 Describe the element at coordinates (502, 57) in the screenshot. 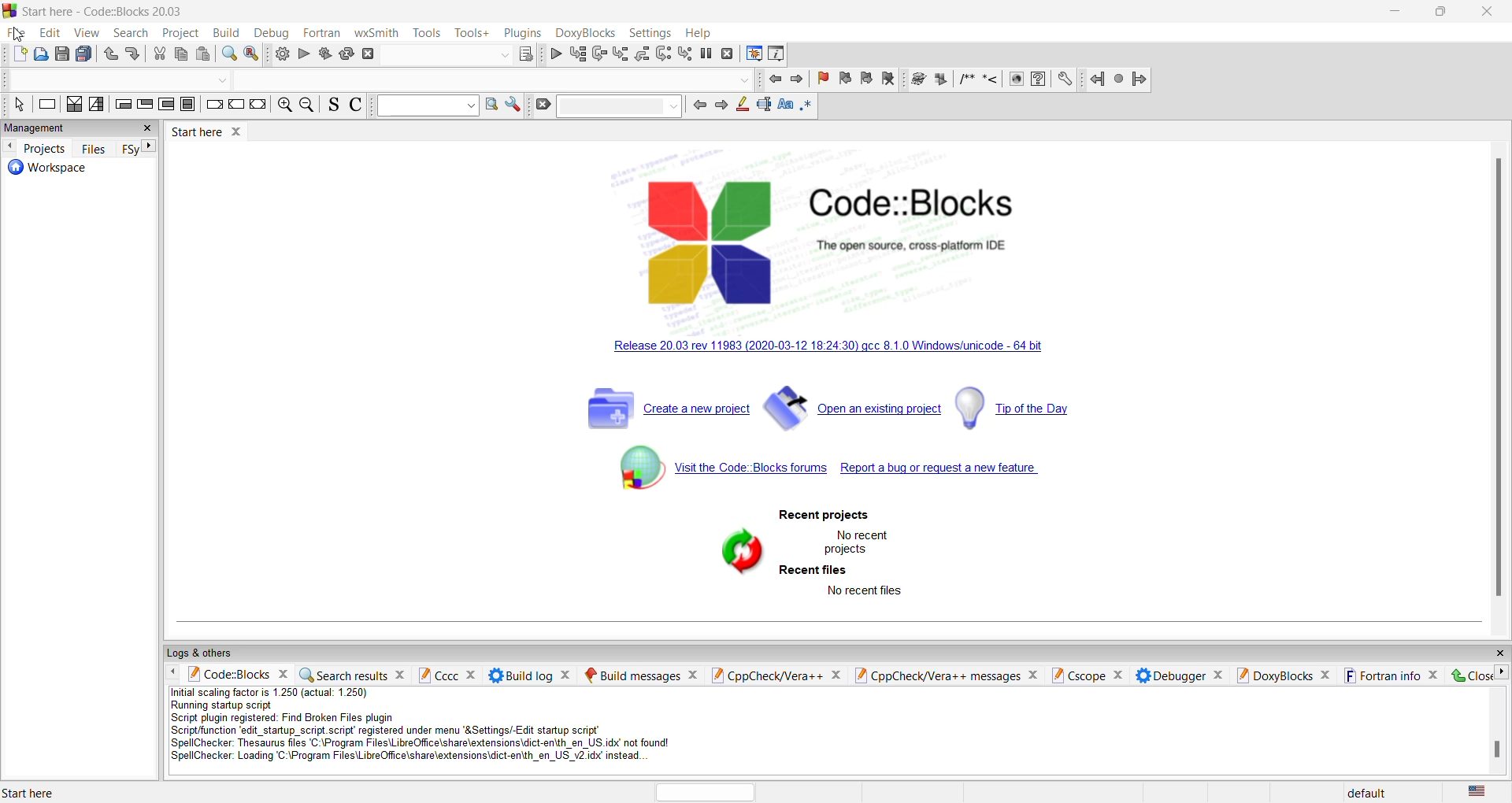

I see `dropdown` at that location.